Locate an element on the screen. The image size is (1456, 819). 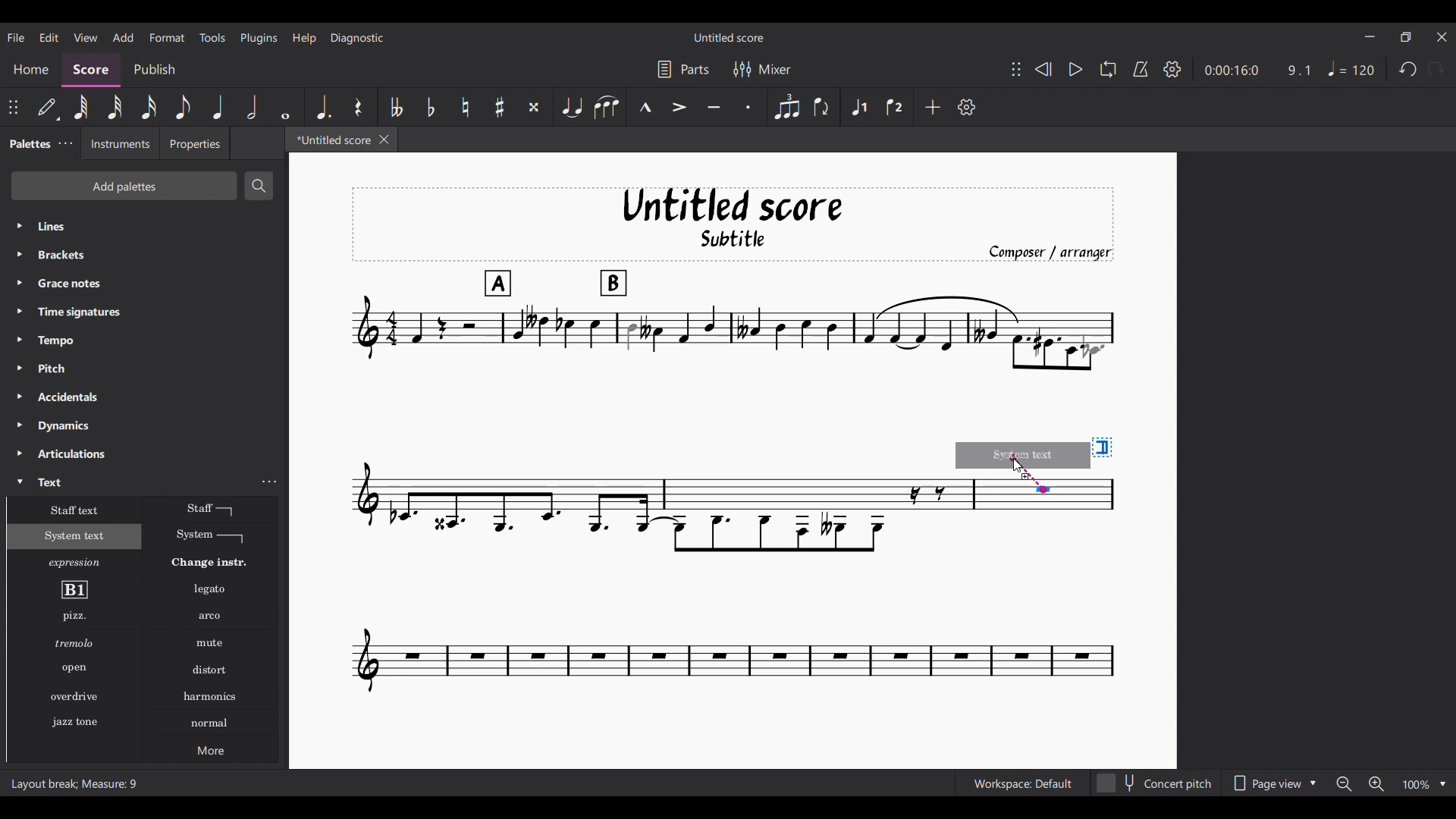
Tenuto is located at coordinates (714, 108).